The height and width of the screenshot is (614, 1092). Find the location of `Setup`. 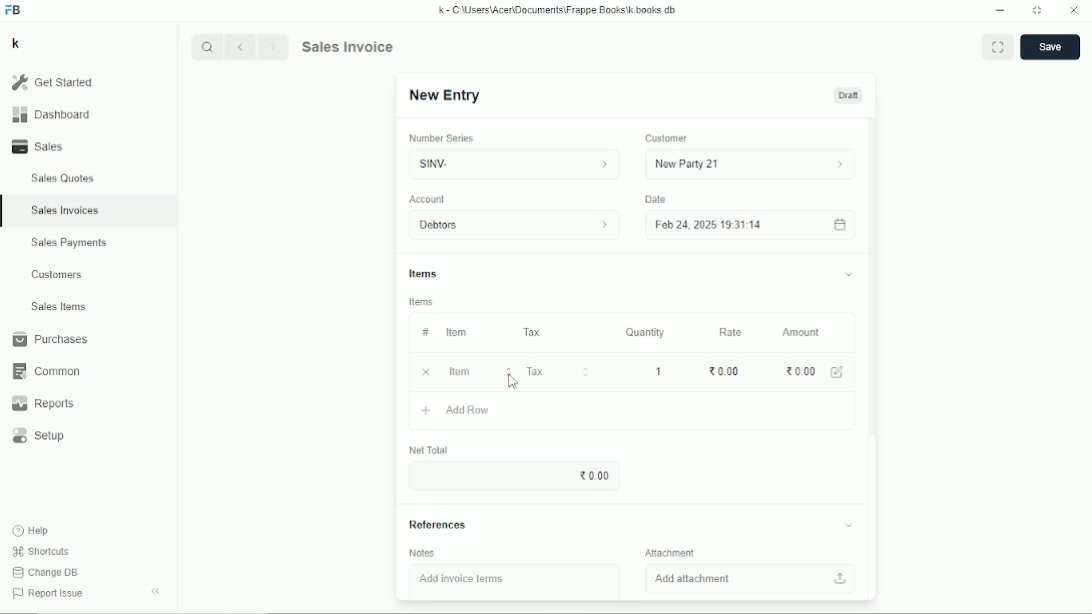

Setup is located at coordinates (41, 436).